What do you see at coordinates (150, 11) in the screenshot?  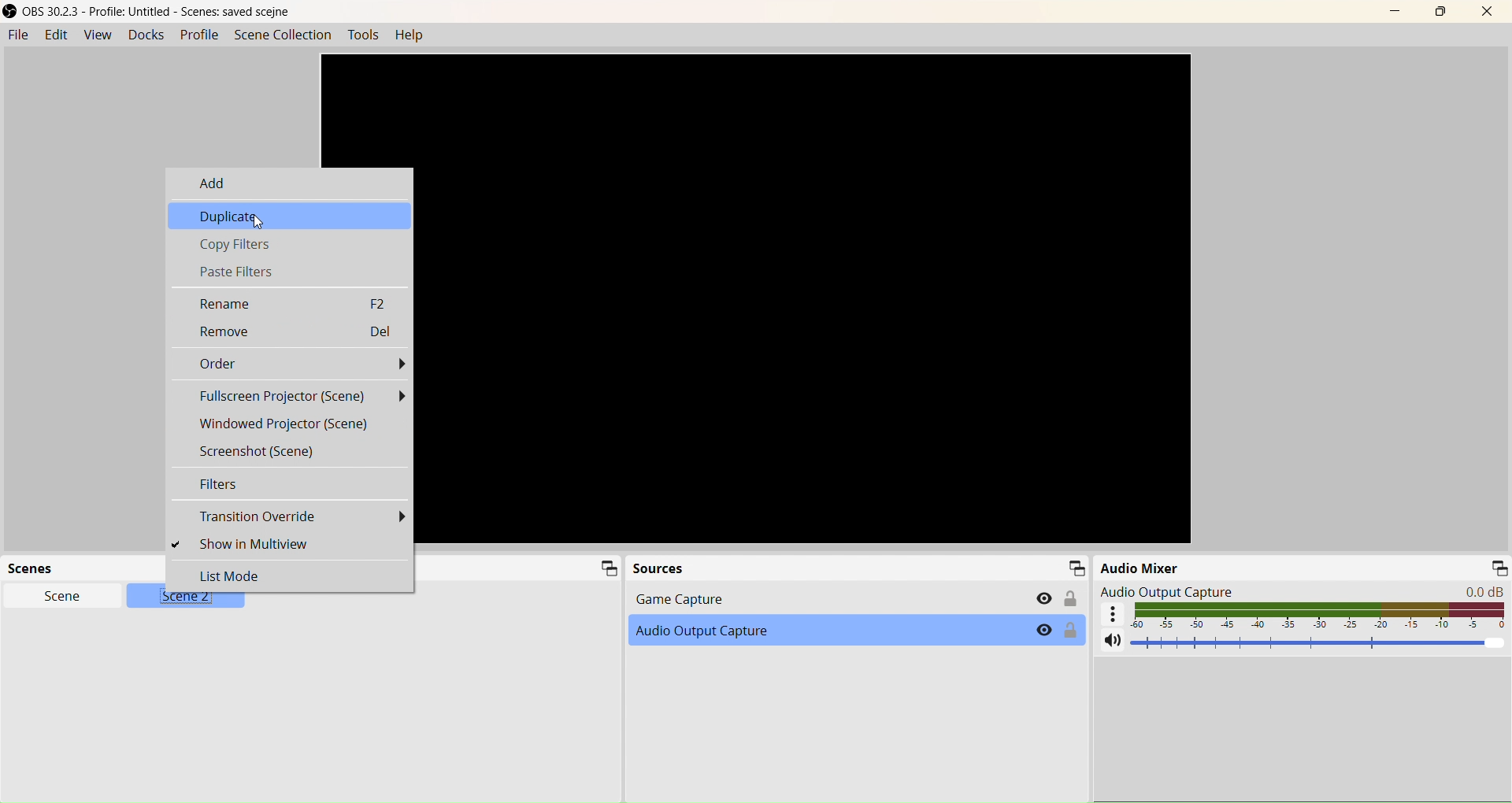 I see `OBS 30.23 - Profile Untitled - Scene saved scejne` at bounding box center [150, 11].